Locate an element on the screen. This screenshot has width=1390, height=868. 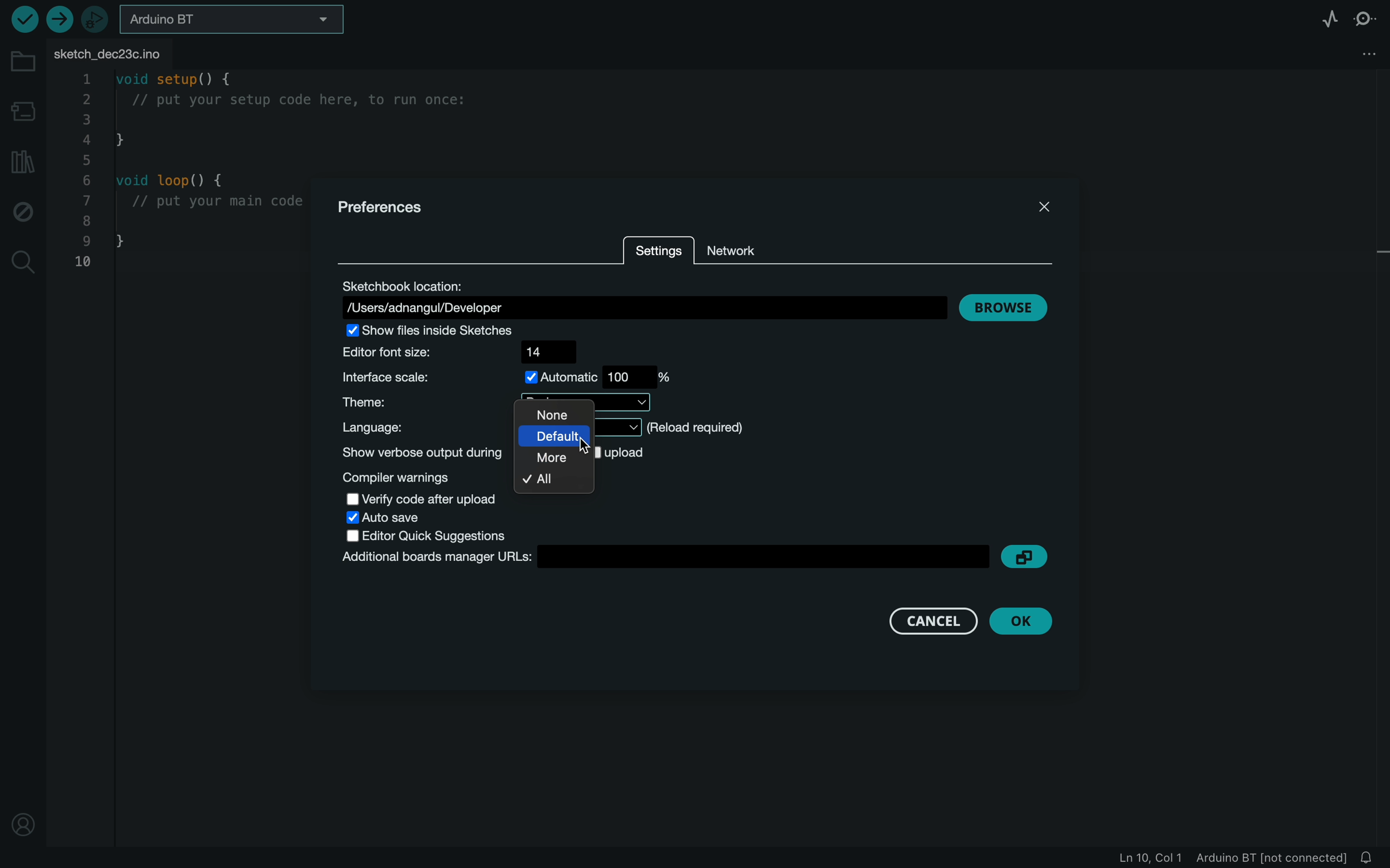
board selecter is located at coordinates (228, 21).